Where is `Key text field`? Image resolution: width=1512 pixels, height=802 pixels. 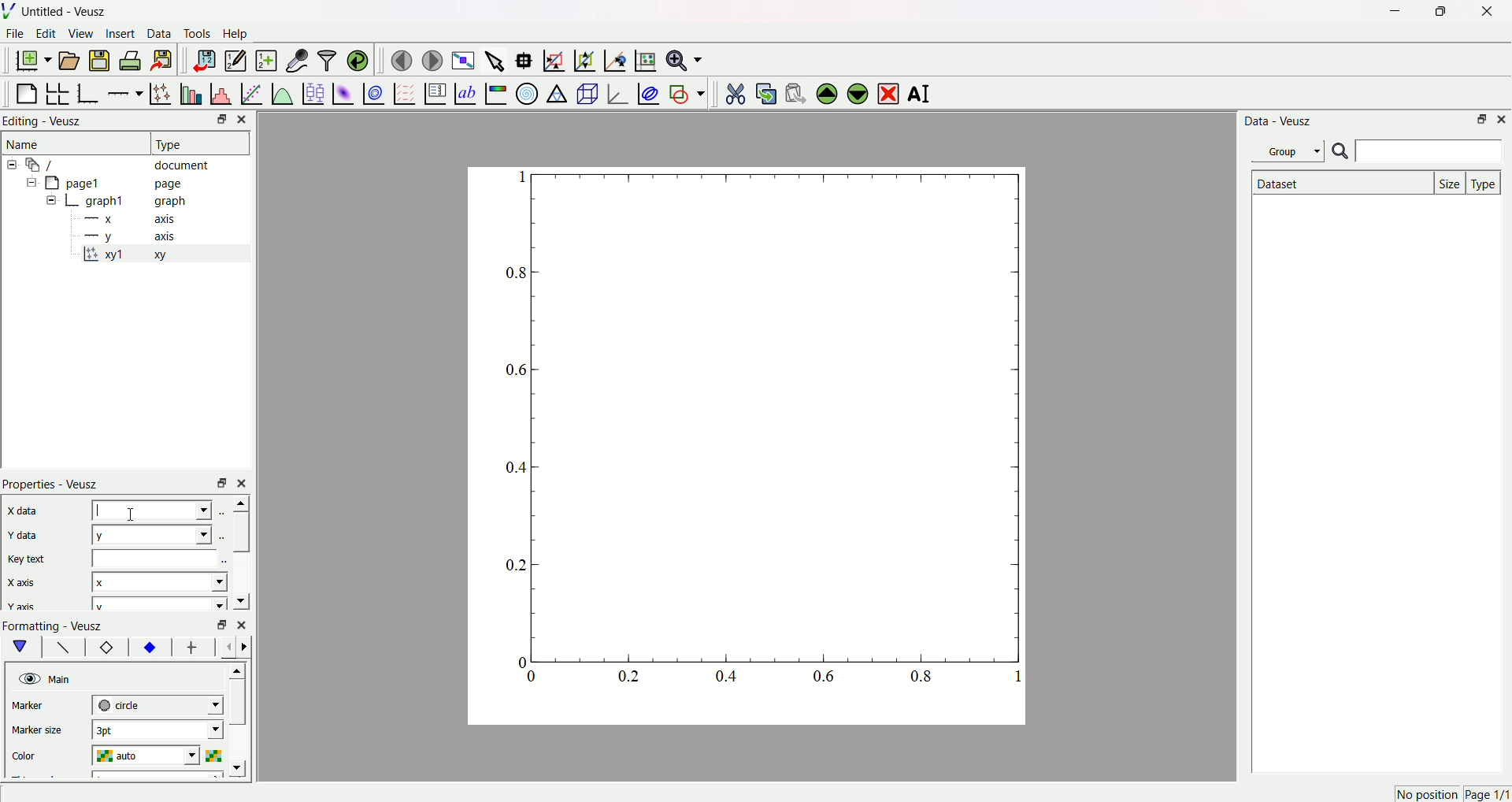
Key text field is located at coordinates (157, 558).